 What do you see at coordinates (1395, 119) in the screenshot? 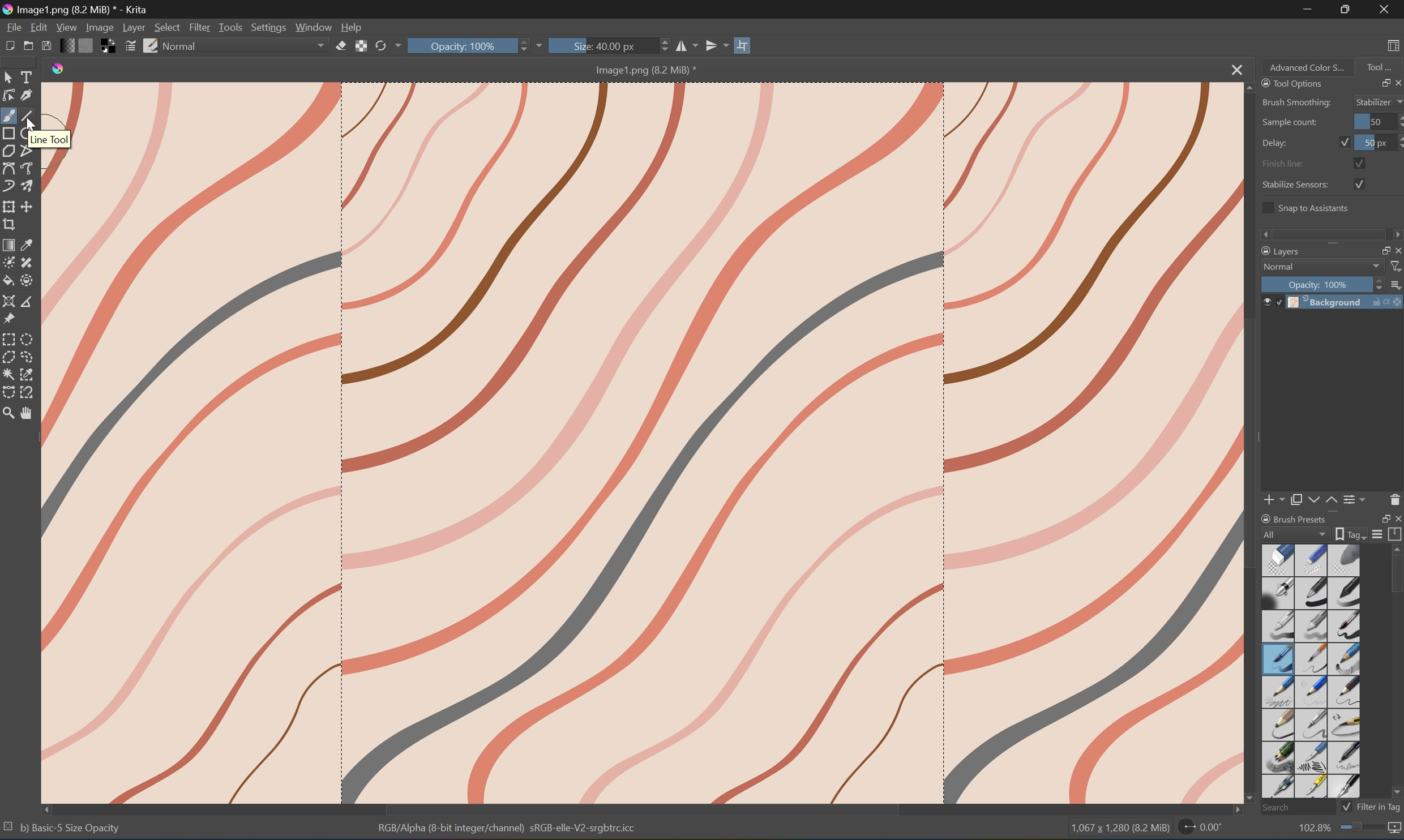
I see `Slider` at bounding box center [1395, 119].